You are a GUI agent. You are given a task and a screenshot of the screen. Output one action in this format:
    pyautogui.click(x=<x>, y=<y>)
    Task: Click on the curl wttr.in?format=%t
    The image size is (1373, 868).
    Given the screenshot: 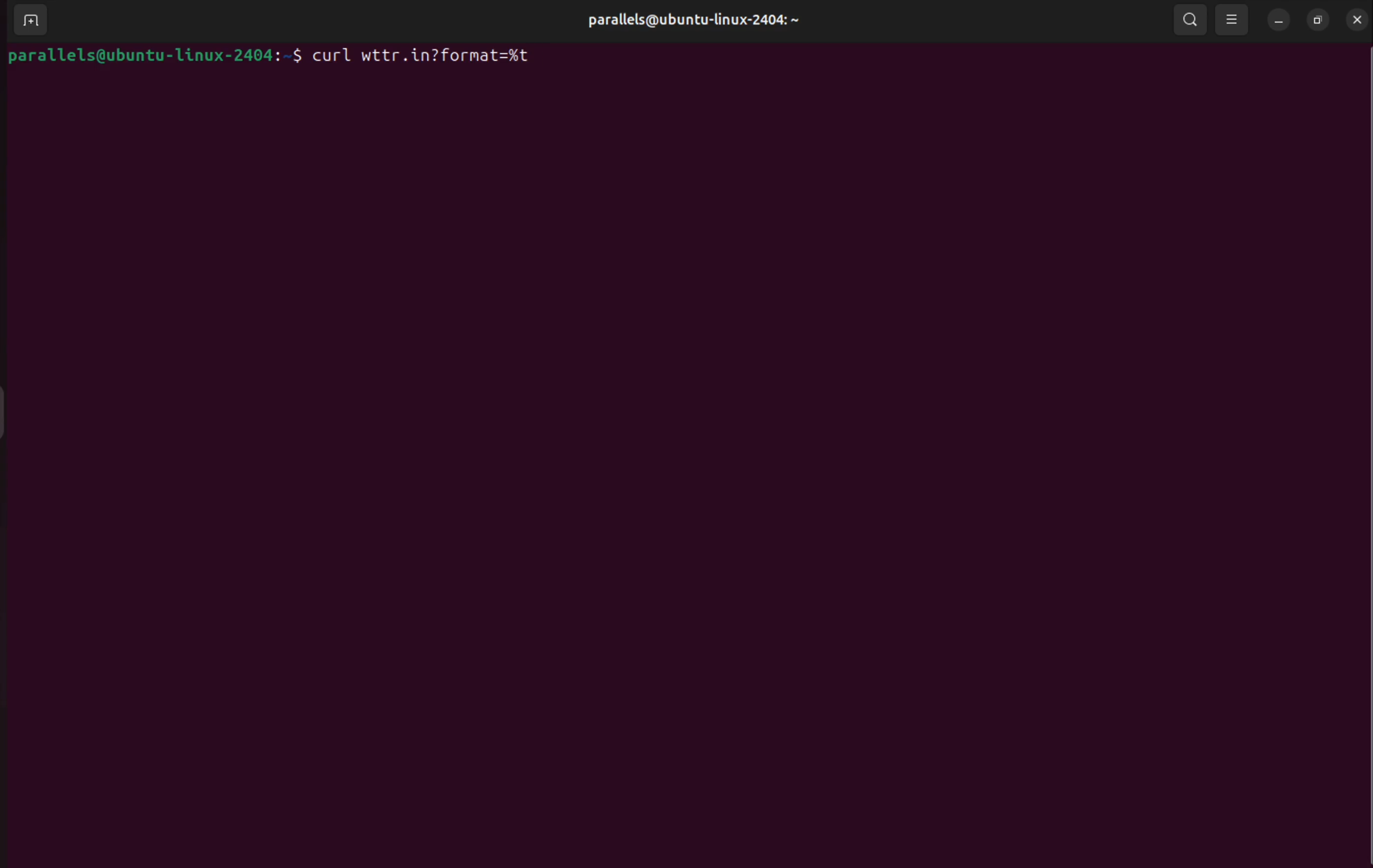 What is the action you would take?
    pyautogui.click(x=428, y=57)
    